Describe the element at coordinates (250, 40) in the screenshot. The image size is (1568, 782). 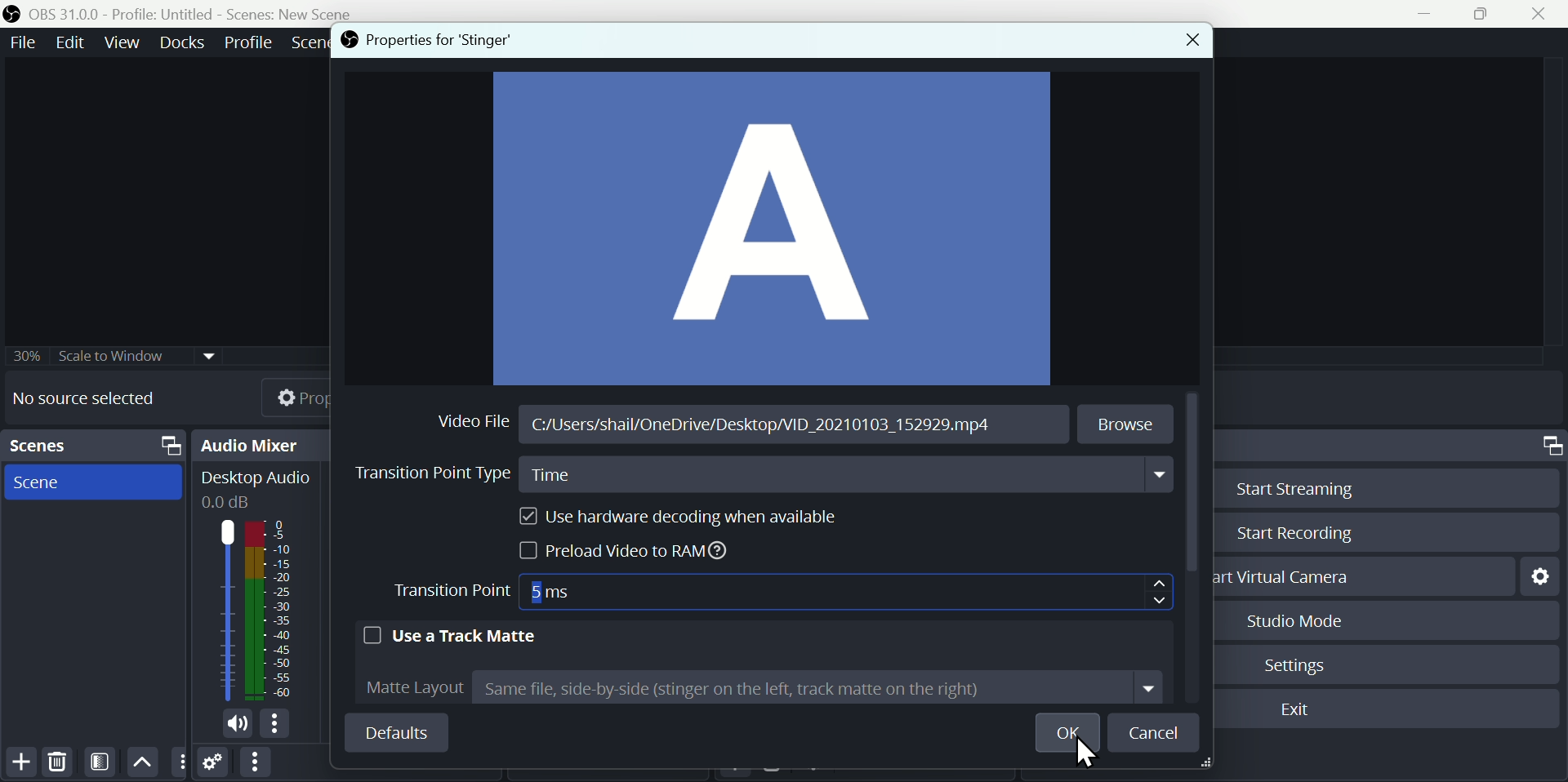
I see `` at that location.